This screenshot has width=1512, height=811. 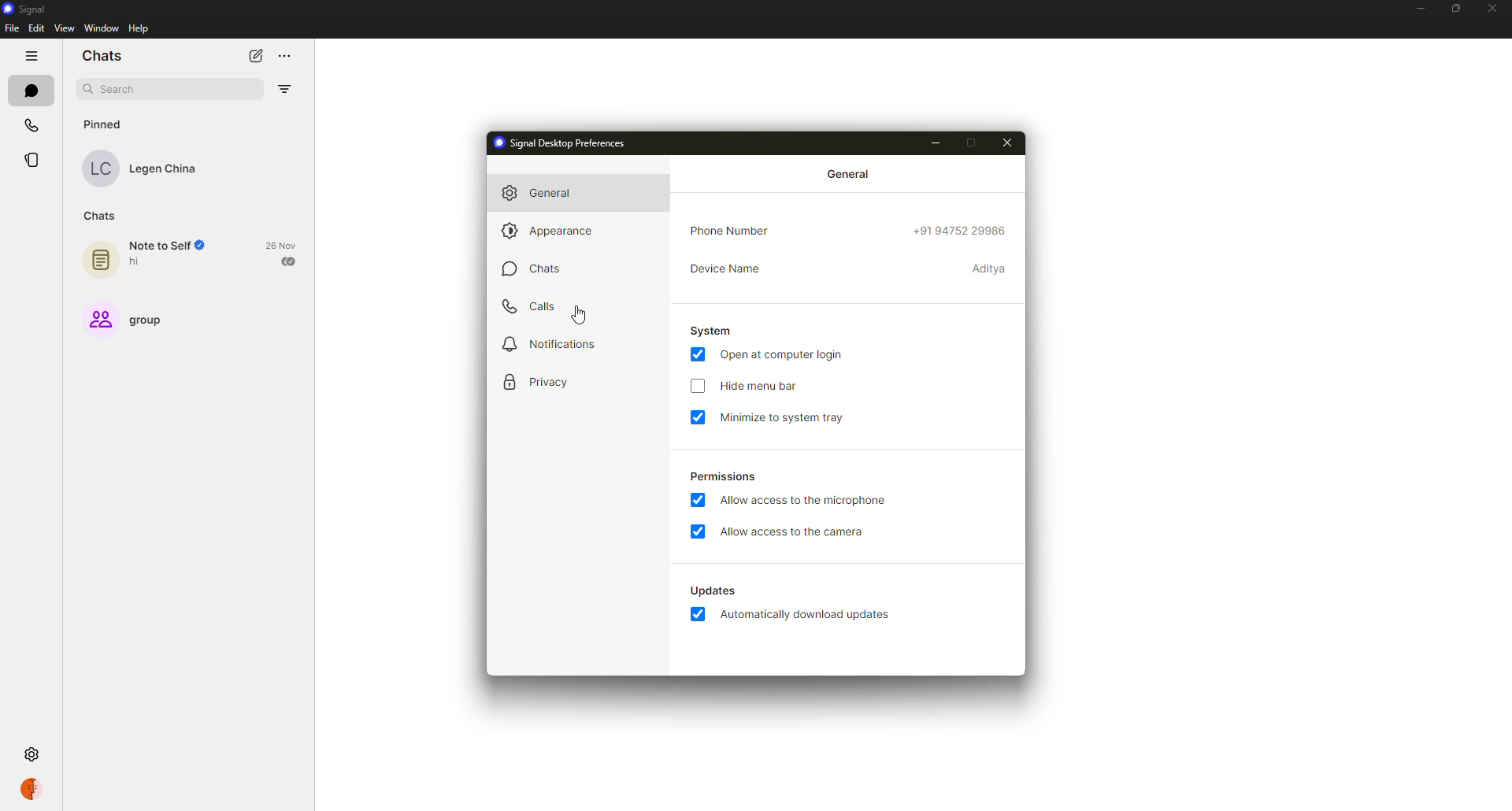 What do you see at coordinates (698, 354) in the screenshot?
I see `enabled` at bounding box center [698, 354].